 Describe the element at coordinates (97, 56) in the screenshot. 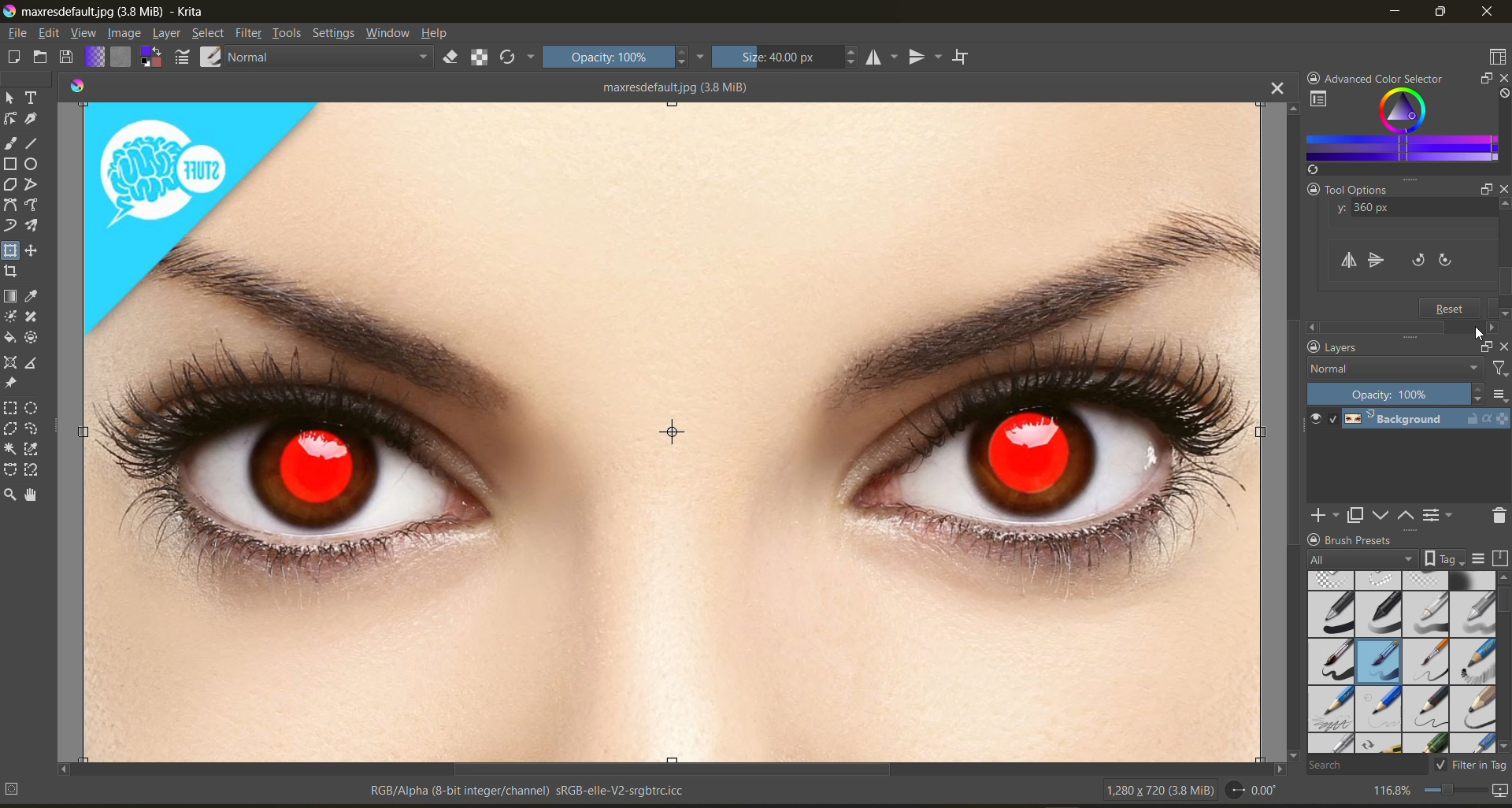

I see `fill gradients` at that location.